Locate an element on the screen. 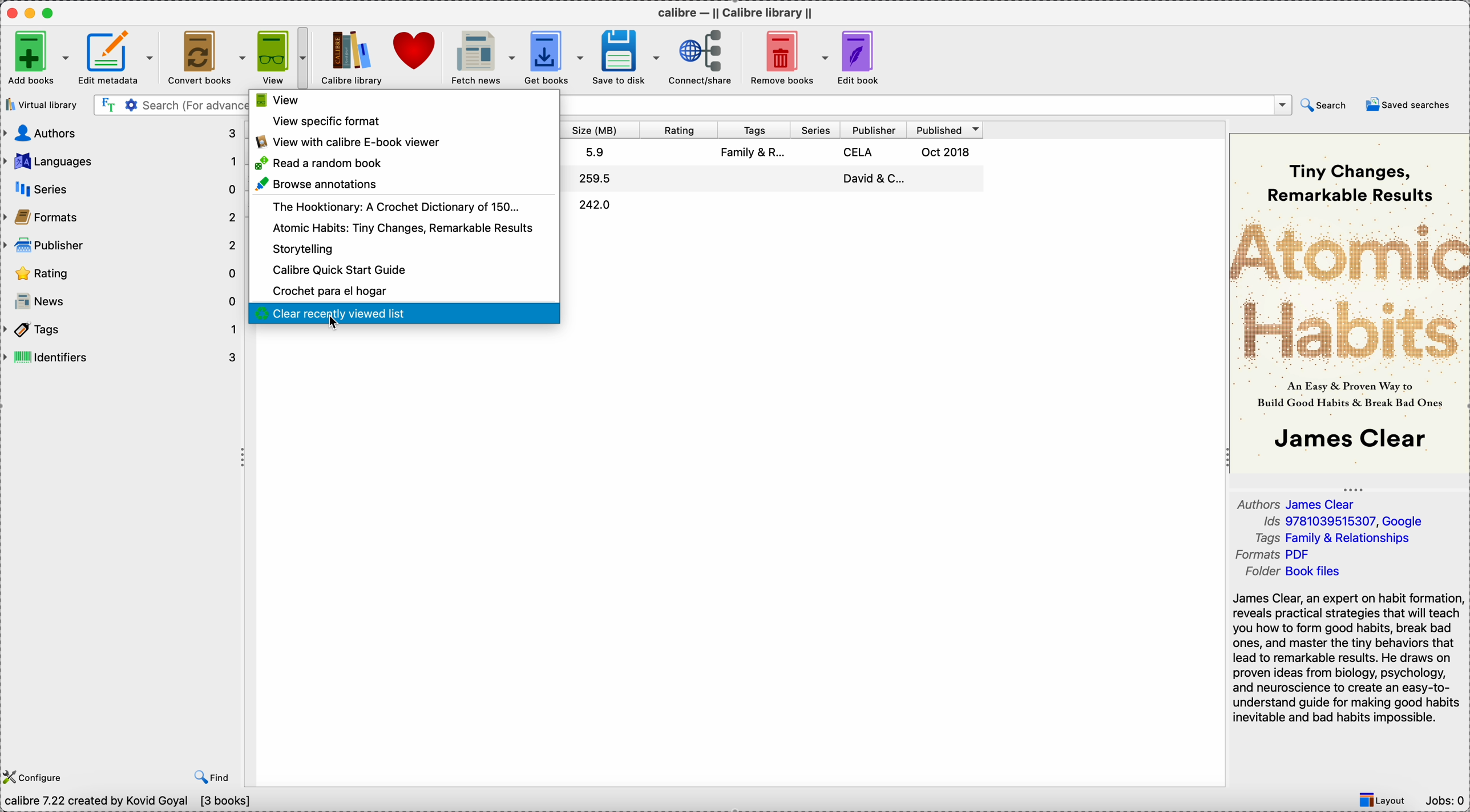  size is located at coordinates (601, 129).